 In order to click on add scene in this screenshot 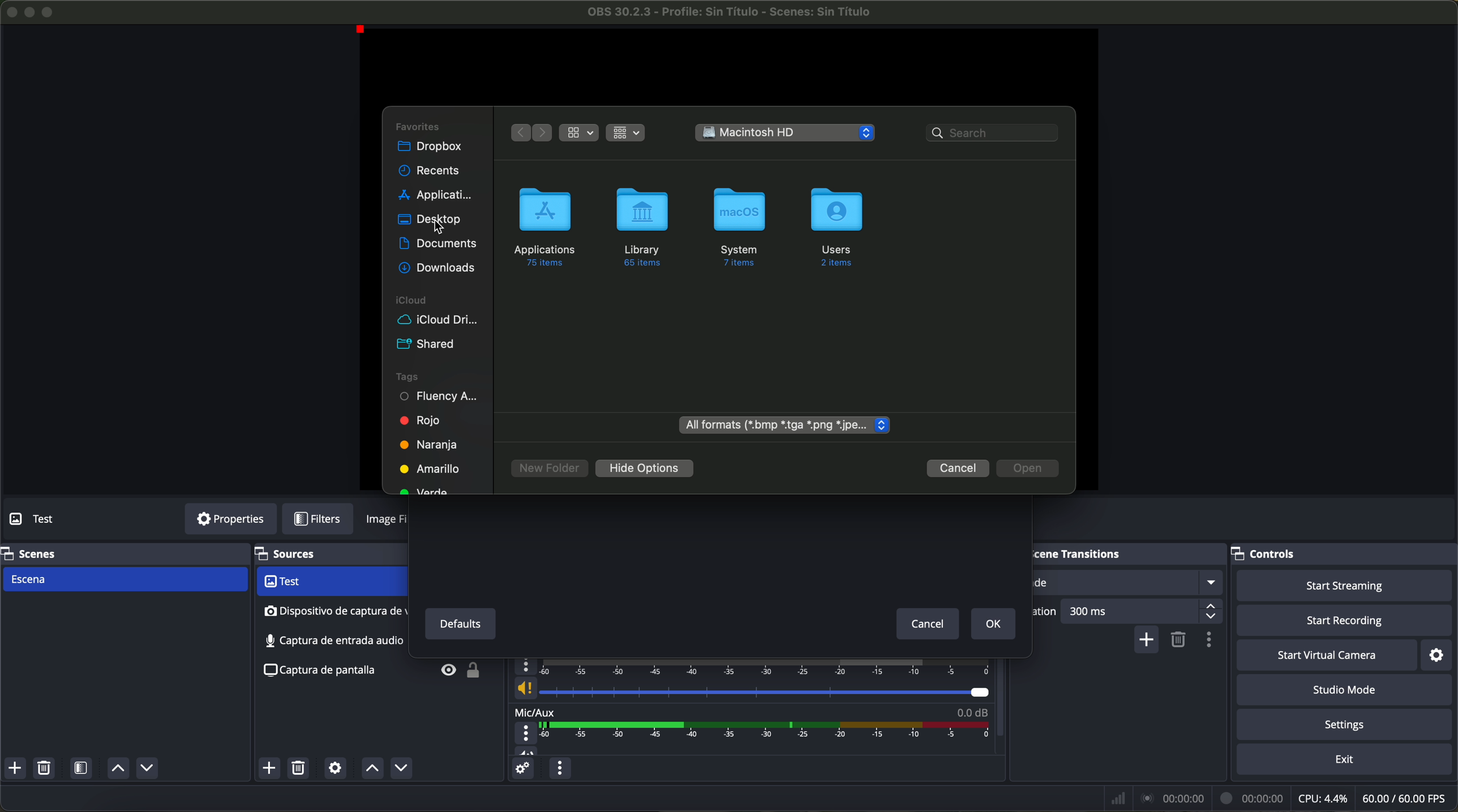, I will do `click(15, 768)`.